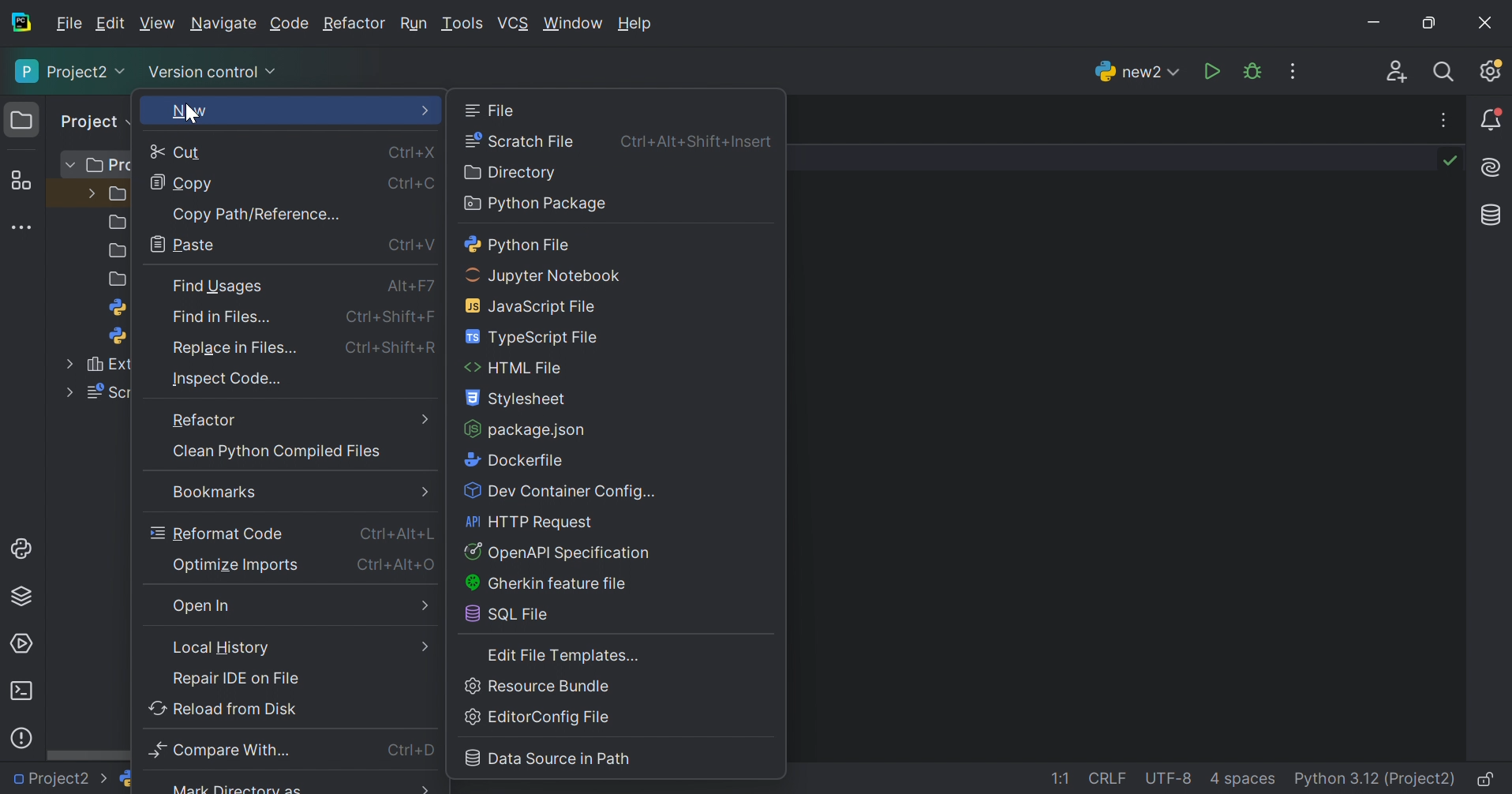 The width and height of the screenshot is (1512, 794). What do you see at coordinates (237, 565) in the screenshot?
I see `Optimize imports` at bounding box center [237, 565].